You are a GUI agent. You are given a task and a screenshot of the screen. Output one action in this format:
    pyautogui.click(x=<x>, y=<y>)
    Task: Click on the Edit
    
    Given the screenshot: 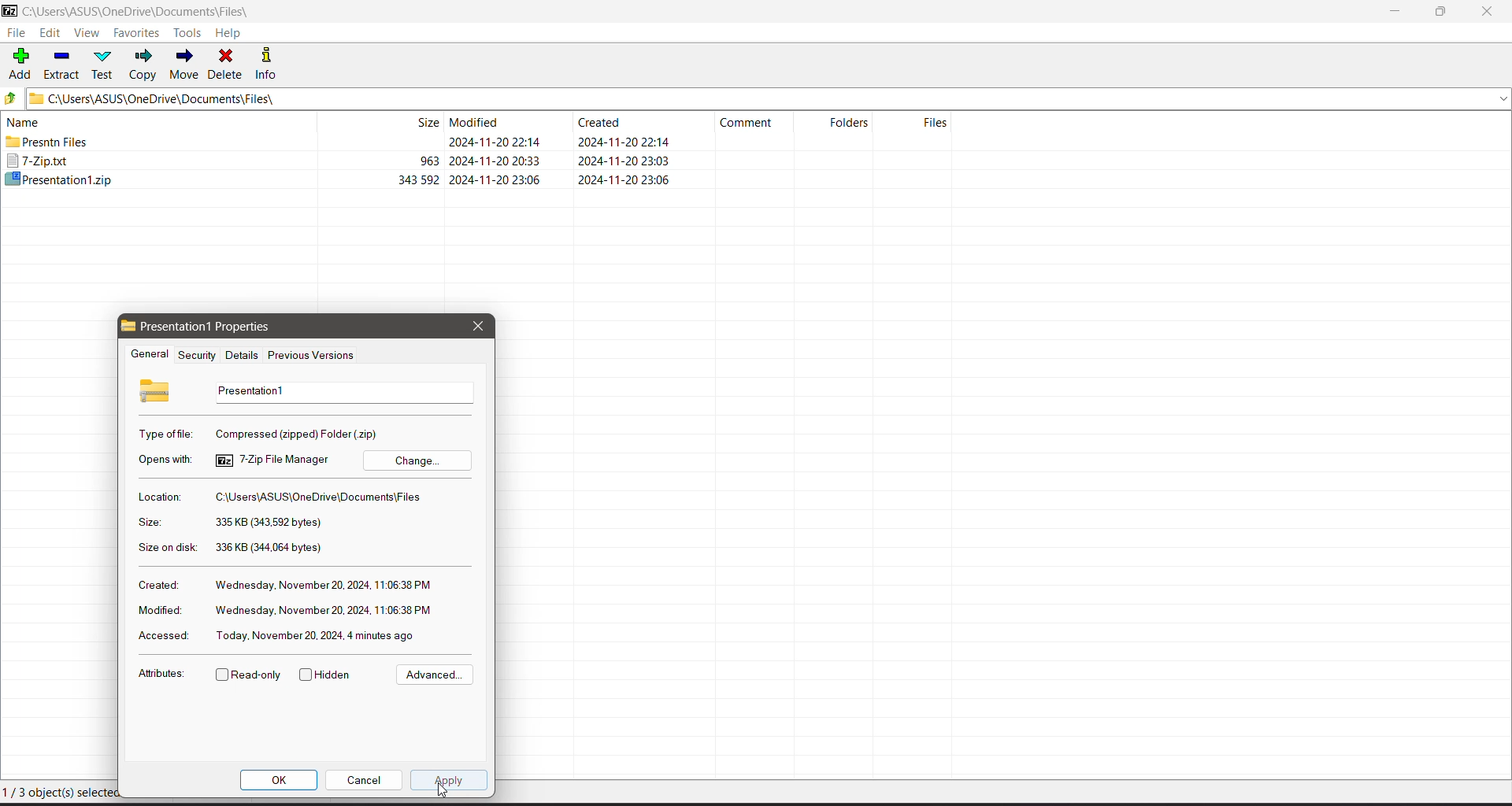 What is the action you would take?
    pyautogui.click(x=52, y=34)
    